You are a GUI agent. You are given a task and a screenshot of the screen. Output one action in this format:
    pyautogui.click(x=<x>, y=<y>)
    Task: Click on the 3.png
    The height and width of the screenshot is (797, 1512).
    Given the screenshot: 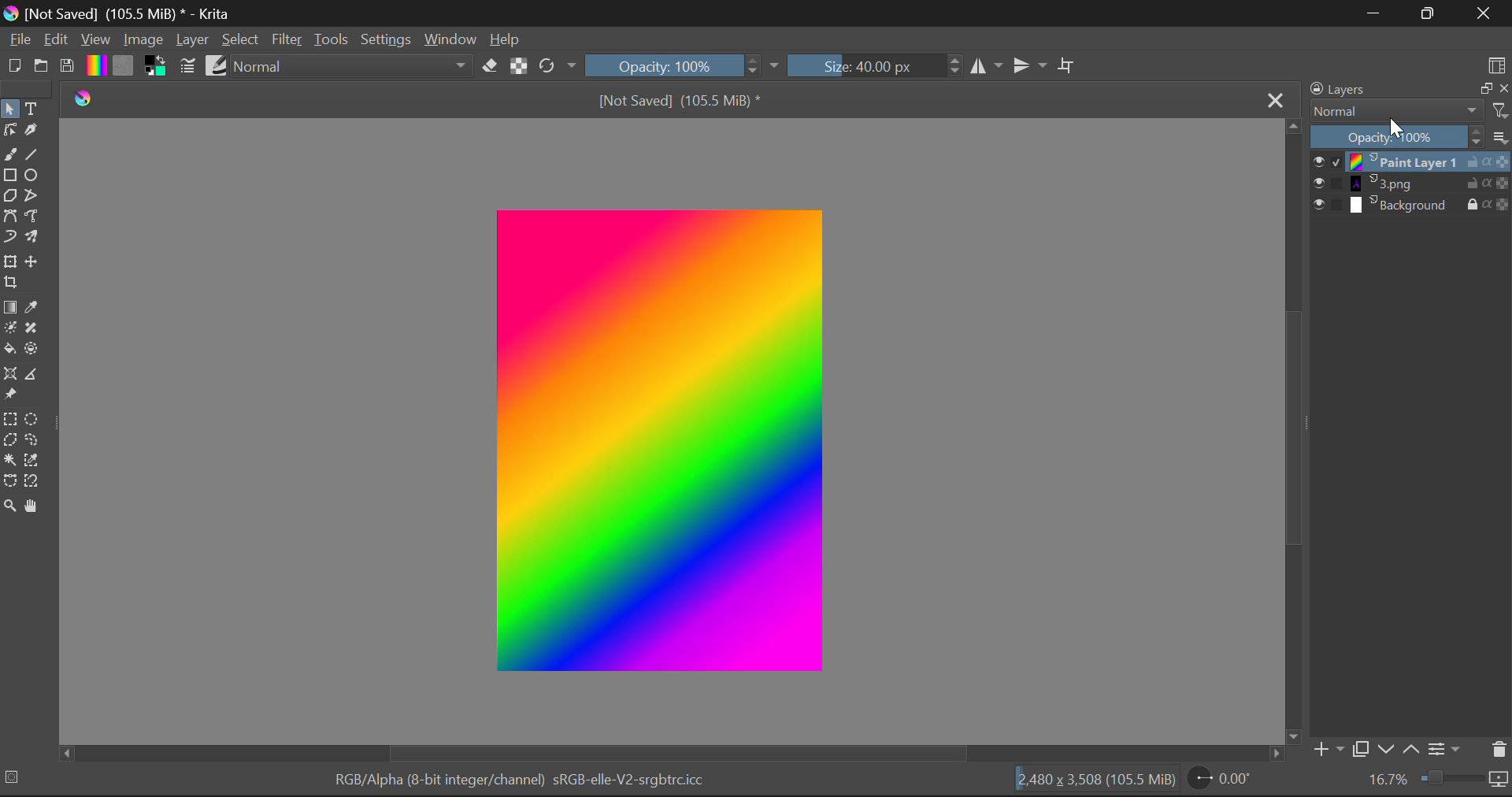 What is the action you would take?
    pyautogui.click(x=1403, y=183)
    